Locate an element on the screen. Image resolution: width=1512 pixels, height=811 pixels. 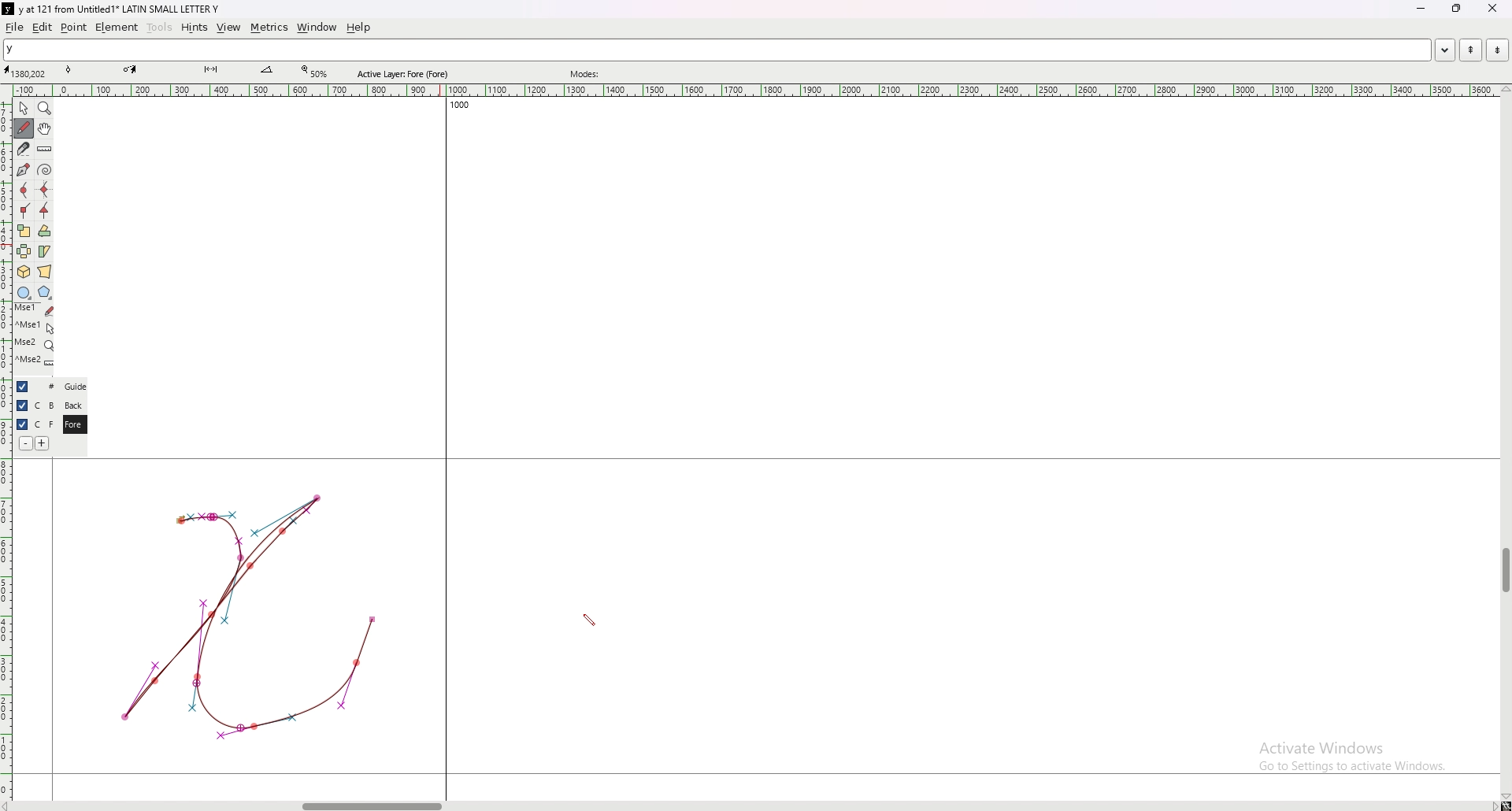
scroll down is located at coordinates (1505, 797).